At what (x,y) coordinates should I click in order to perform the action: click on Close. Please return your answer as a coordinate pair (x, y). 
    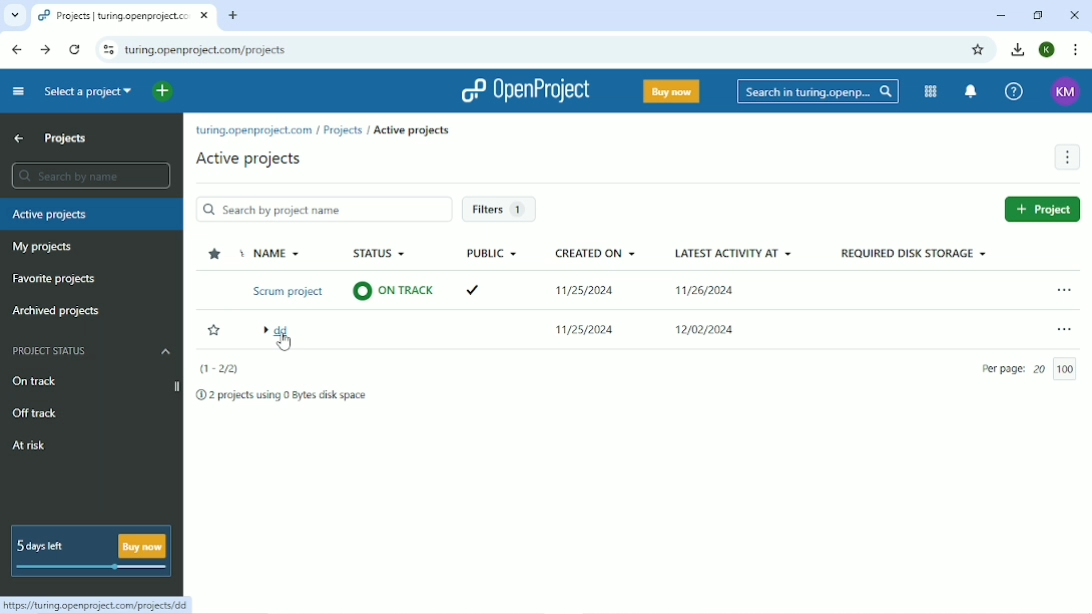
    Looking at the image, I should click on (1074, 15).